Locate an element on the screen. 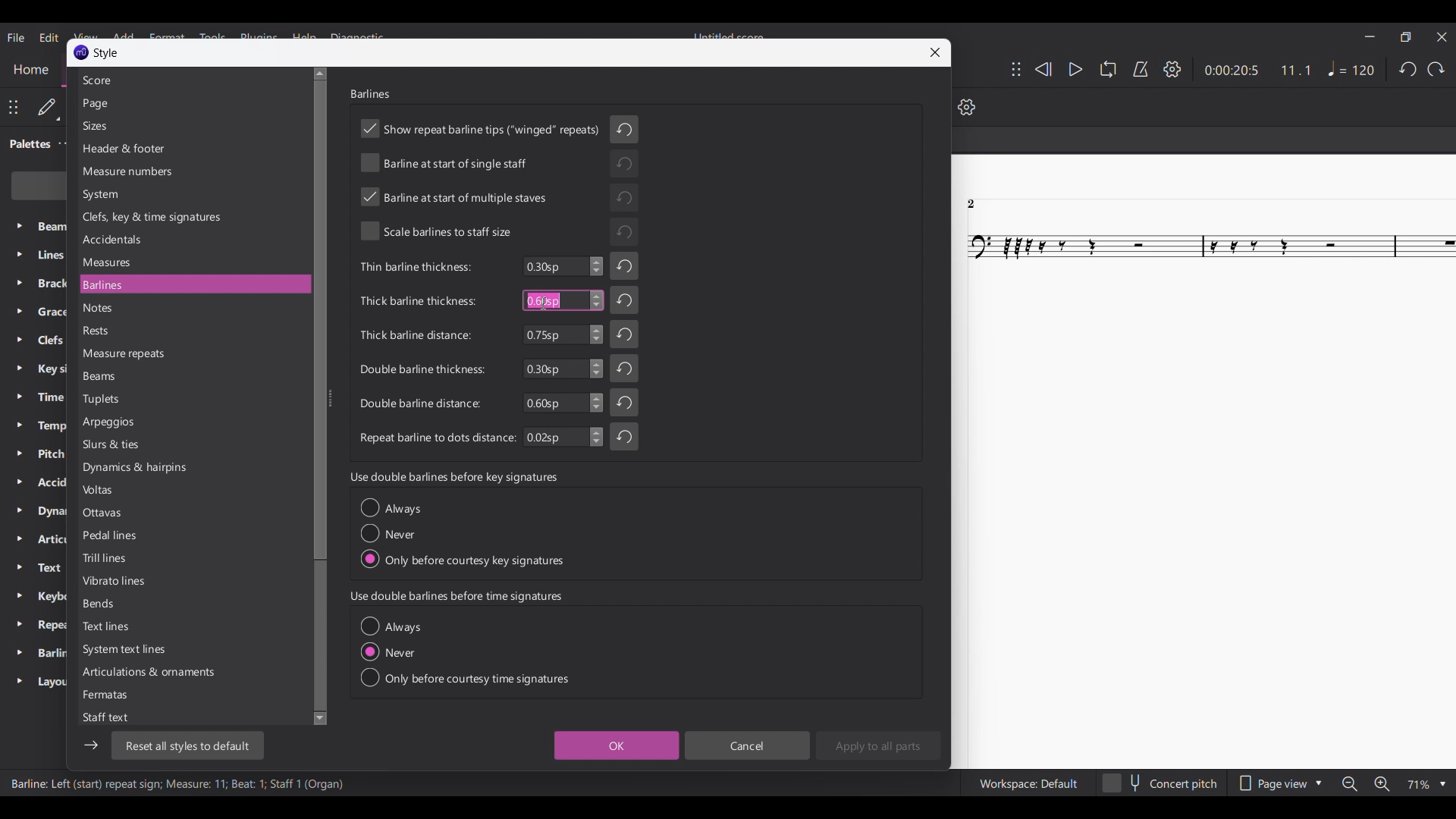 The image size is (1456, 819). Default is located at coordinates (49, 108).